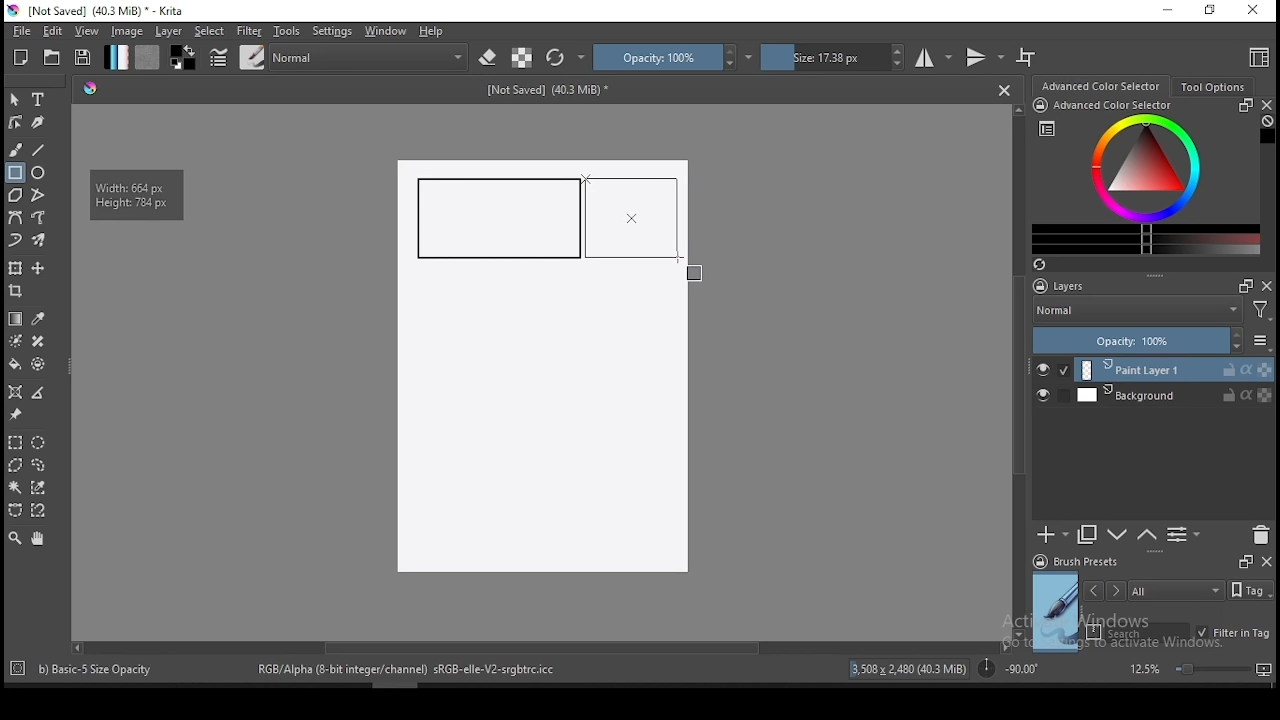 The height and width of the screenshot is (720, 1280). Describe the element at coordinates (1138, 632) in the screenshot. I see `search` at that location.